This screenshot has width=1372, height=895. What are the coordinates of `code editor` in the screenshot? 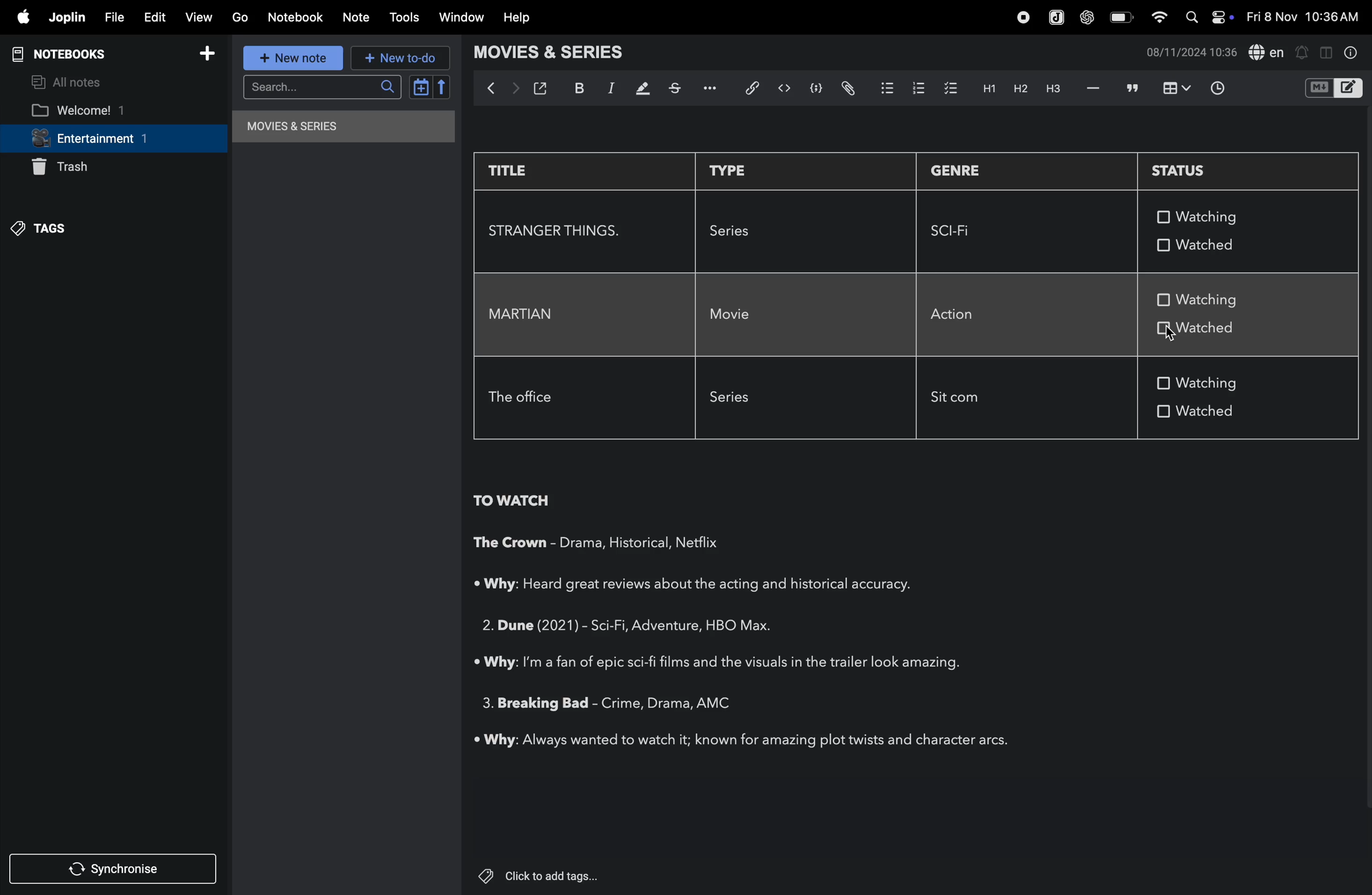 It's located at (784, 88).